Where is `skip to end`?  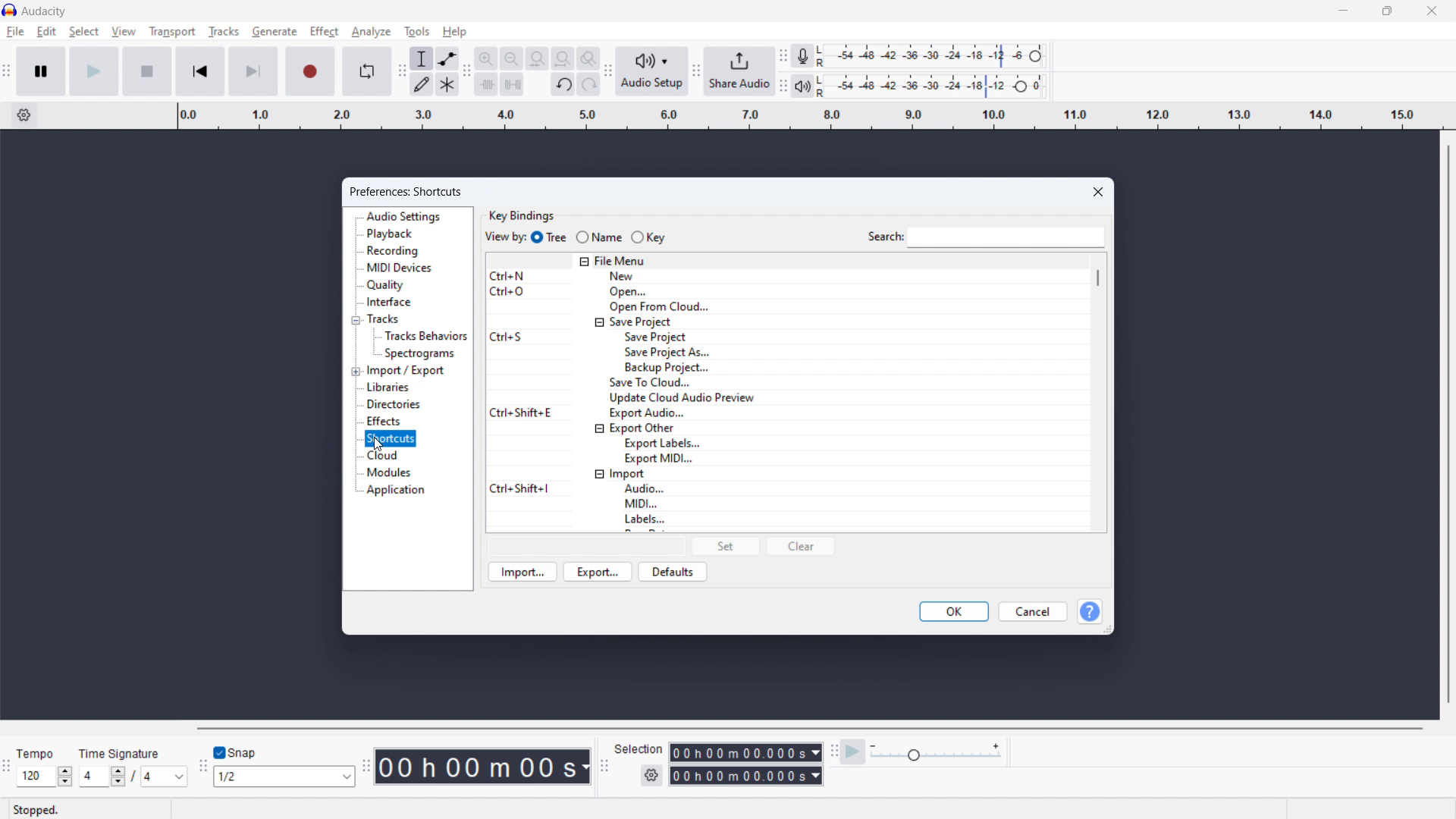 skip to end is located at coordinates (253, 71).